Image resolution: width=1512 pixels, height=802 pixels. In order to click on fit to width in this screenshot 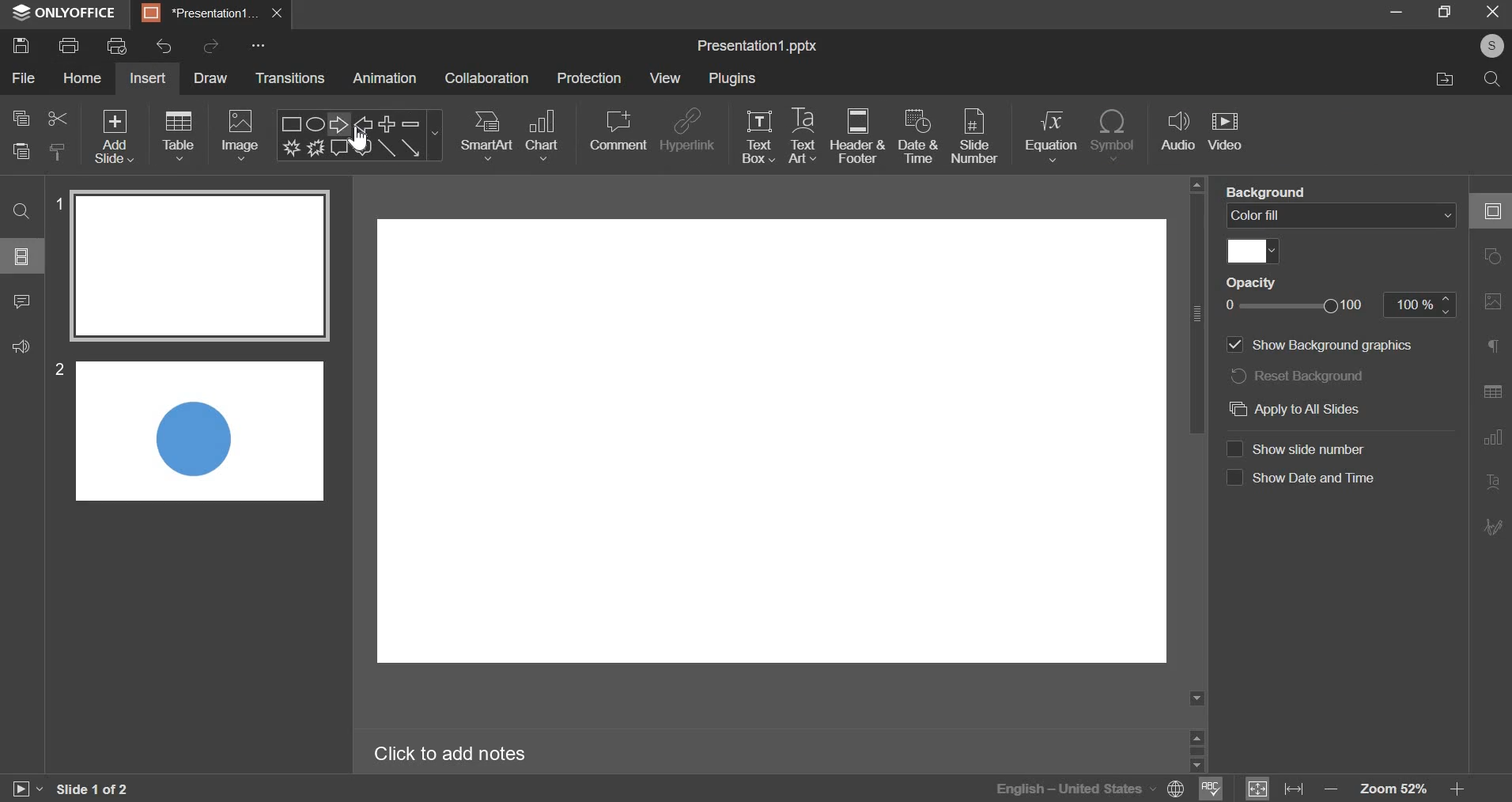, I will do `click(1295, 789)`.